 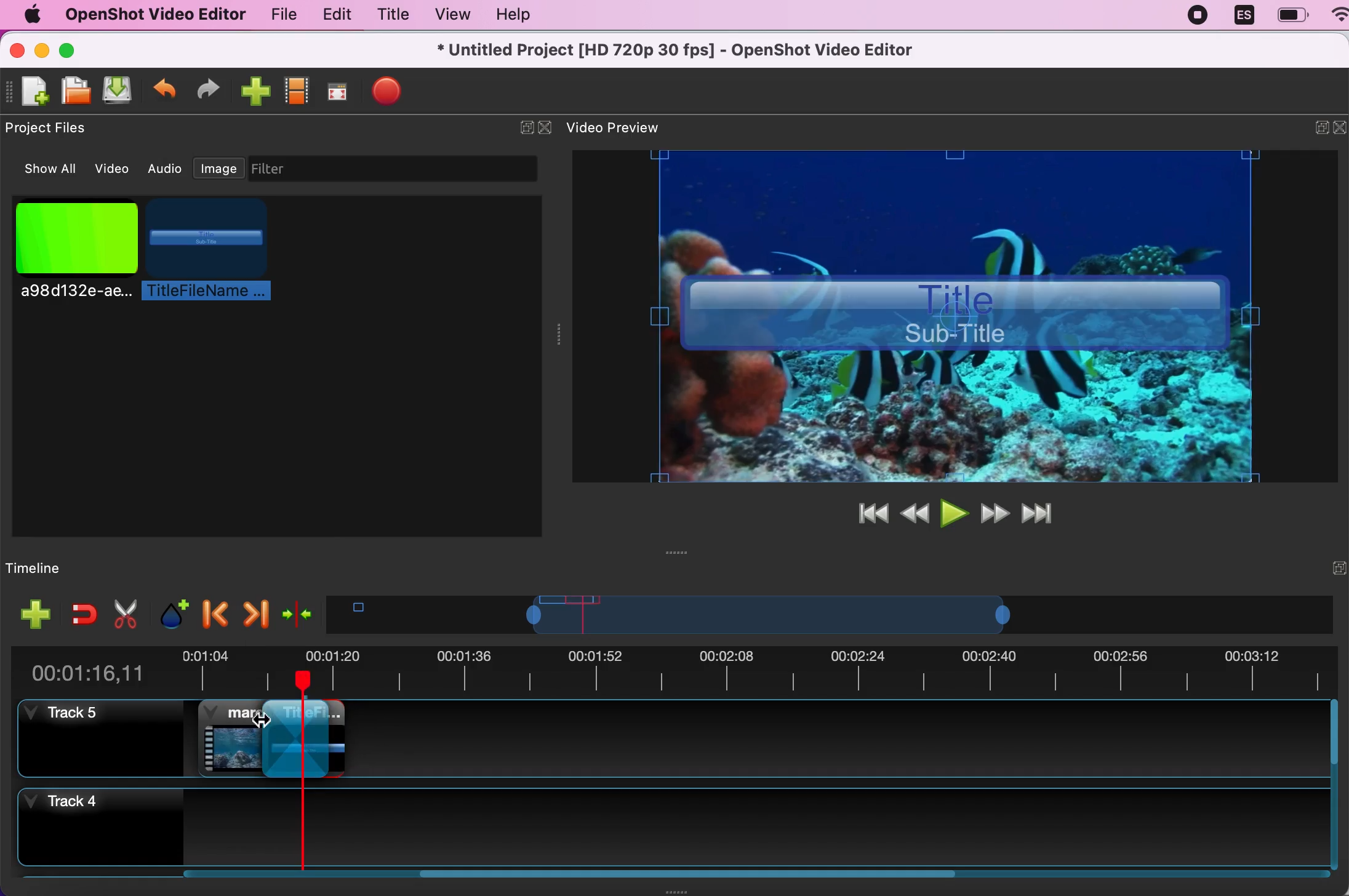 What do you see at coordinates (255, 90) in the screenshot?
I see `import file` at bounding box center [255, 90].